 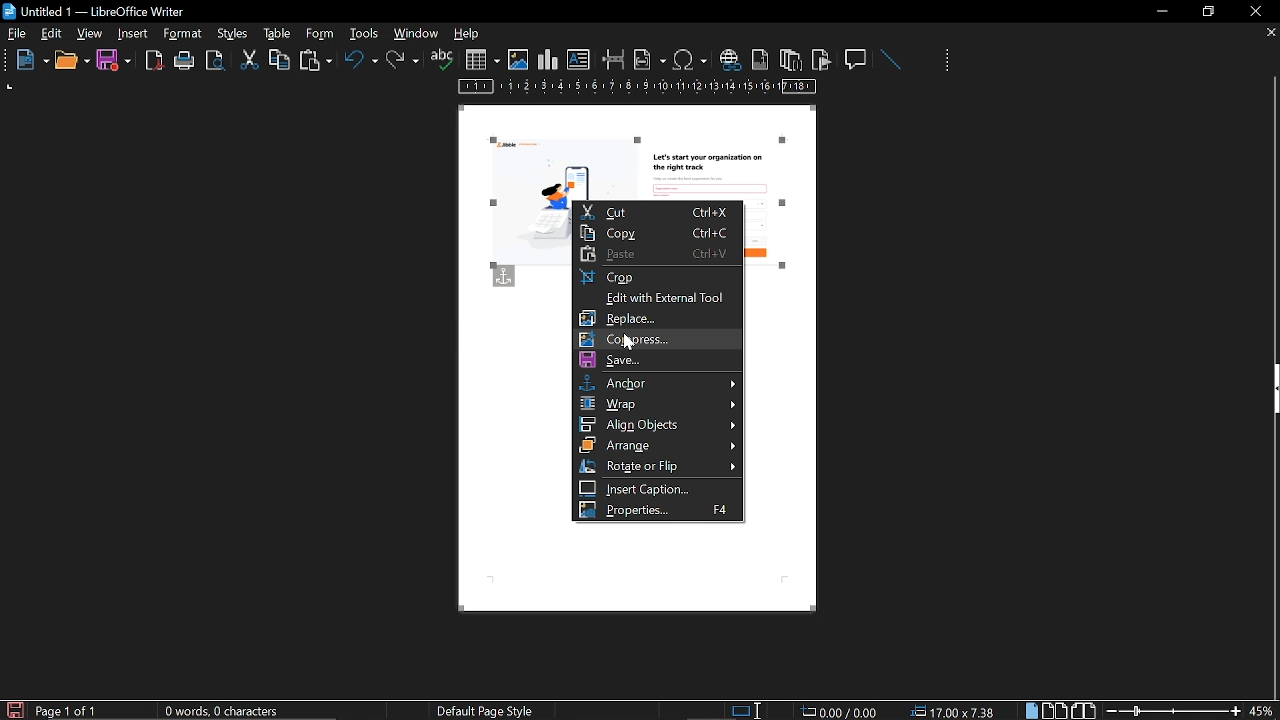 I want to click on Save, so click(x=658, y=361).